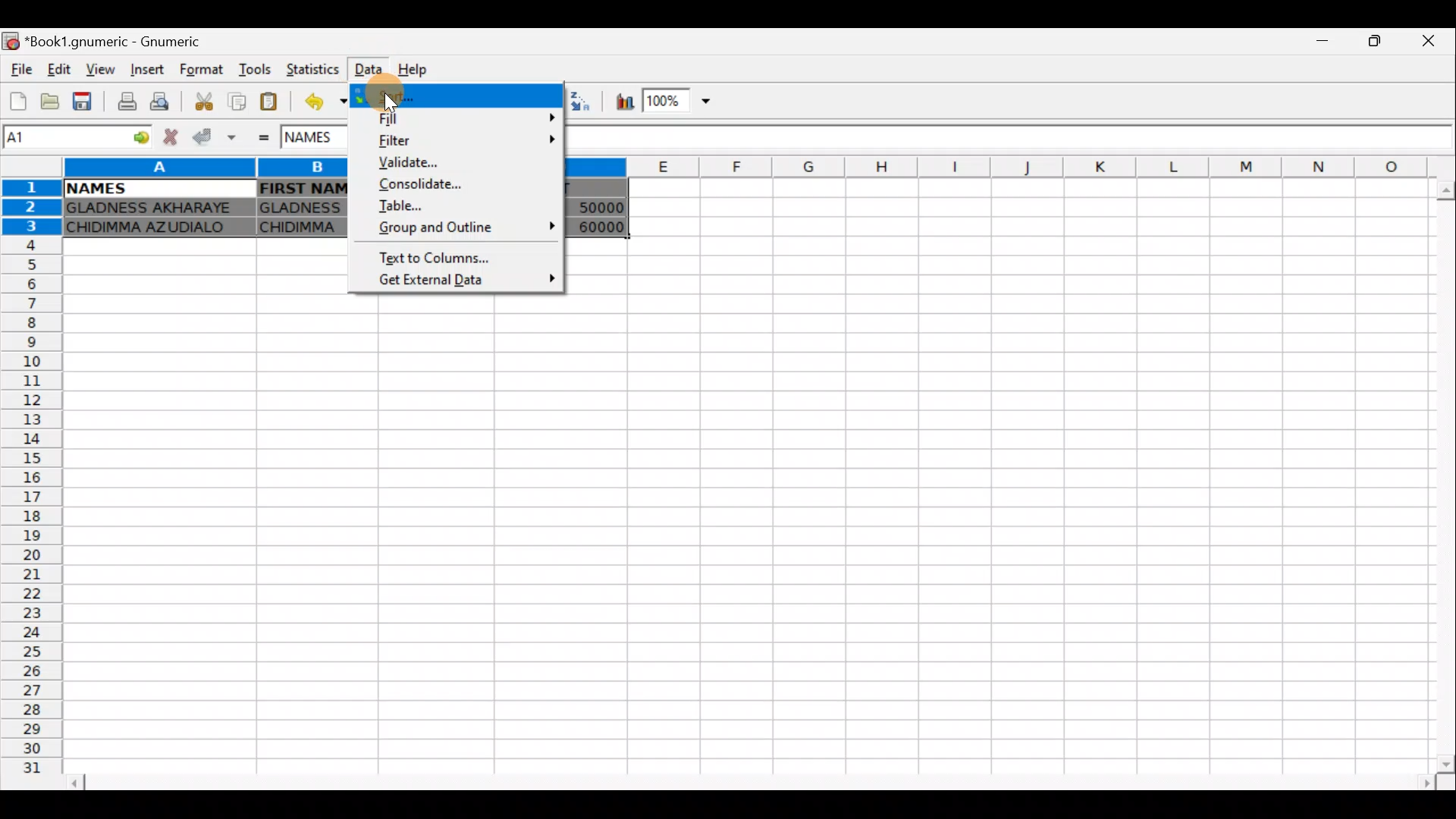  What do you see at coordinates (595, 206) in the screenshot?
I see `50000` at bounding box center [595, 206].